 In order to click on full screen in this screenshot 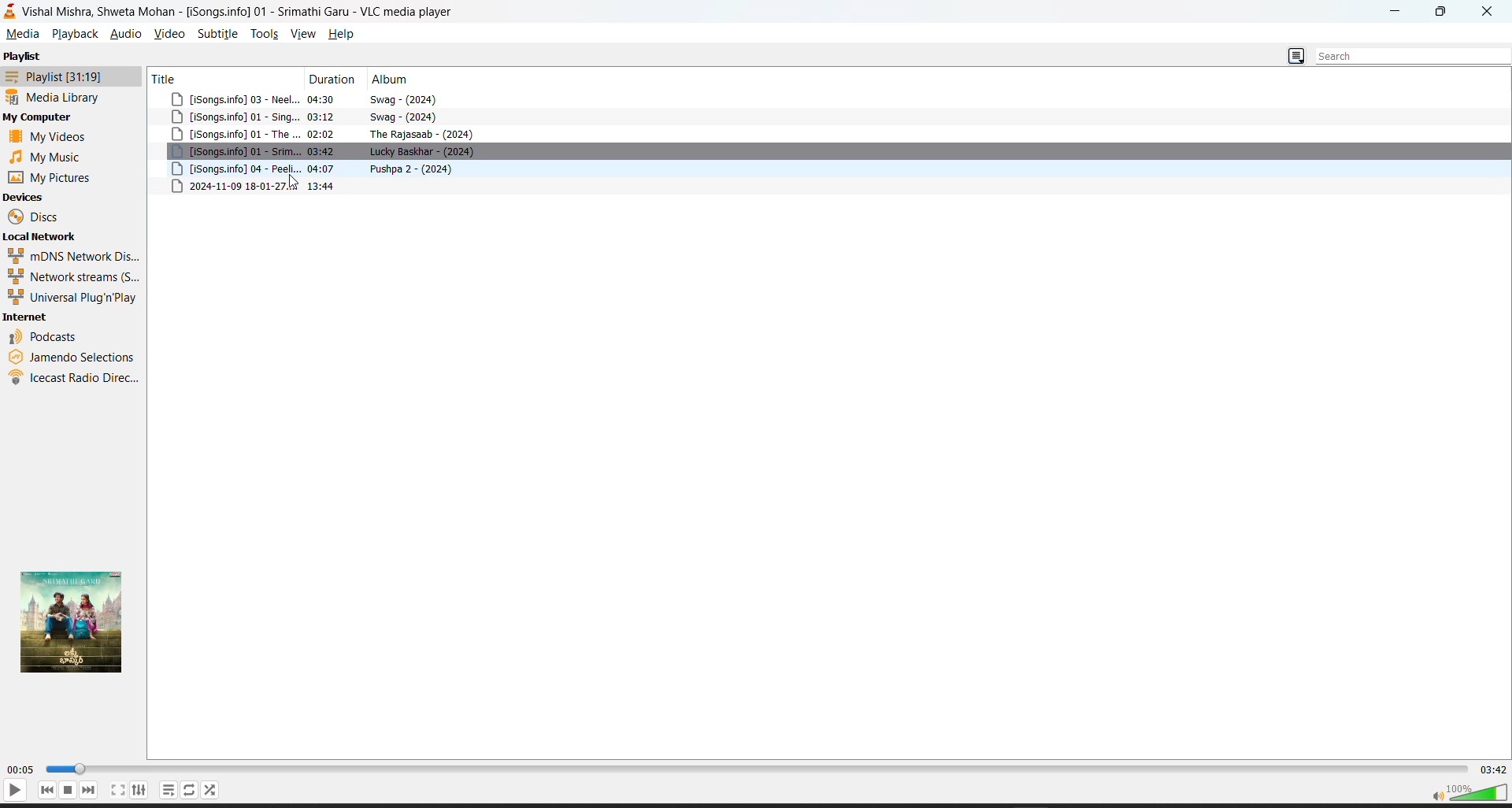, I will do `click(116, 789)`.